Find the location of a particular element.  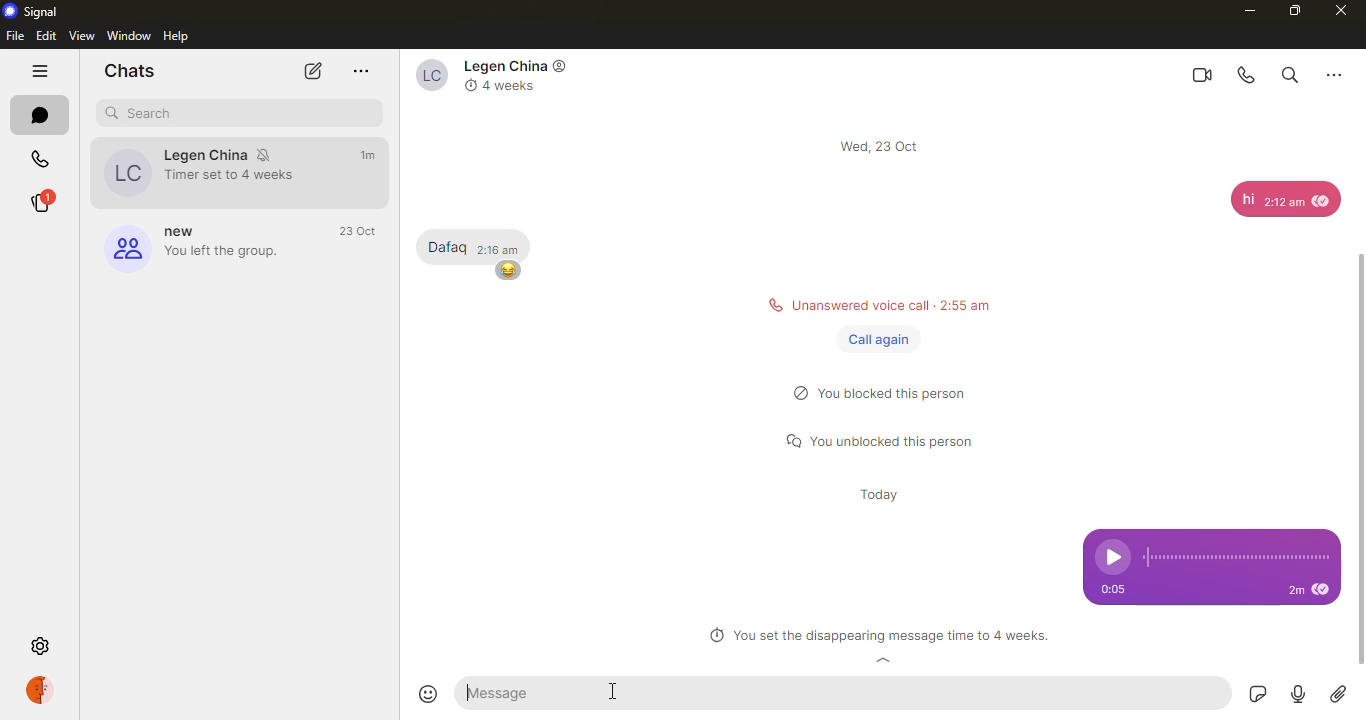

happy emoji is located at coordinates (508, 270).